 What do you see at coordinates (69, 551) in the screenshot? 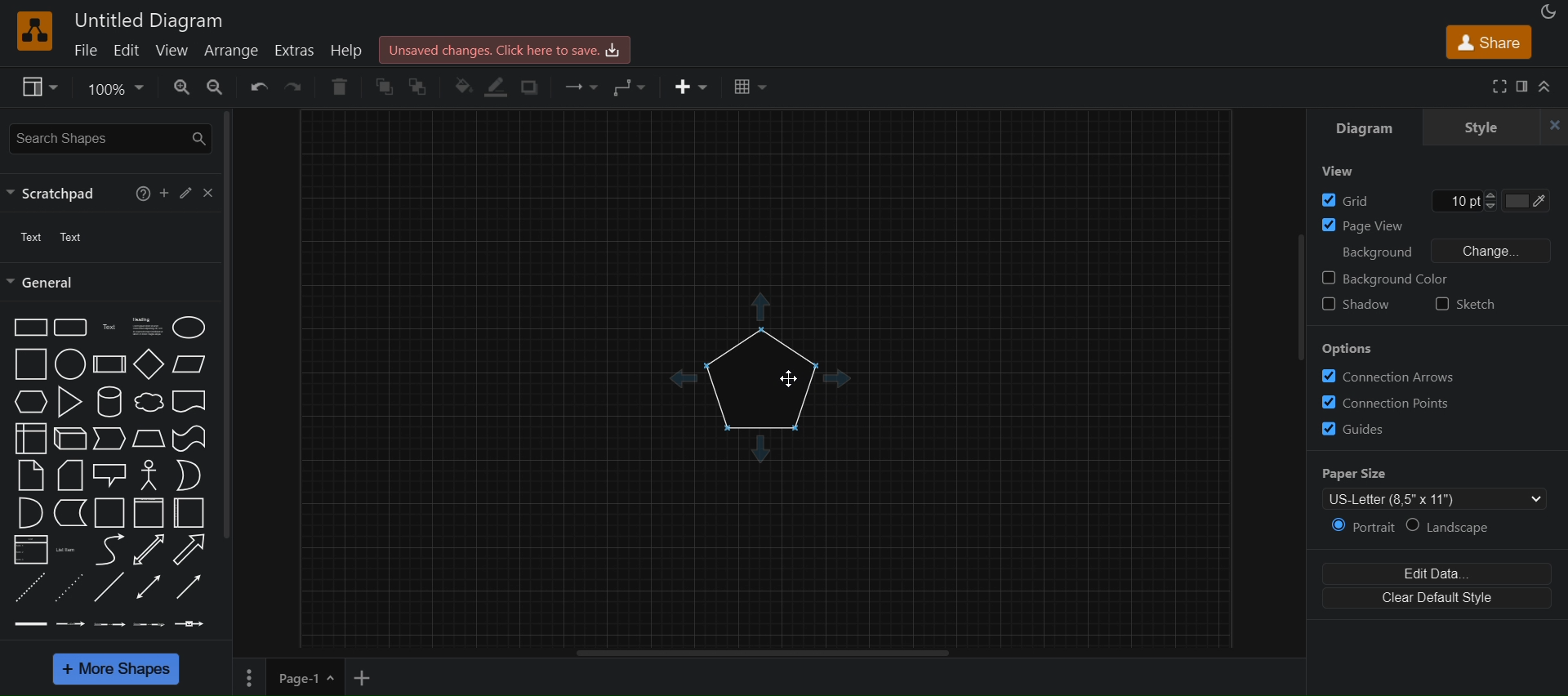
I see `List item` at bounding box center [69, 551].